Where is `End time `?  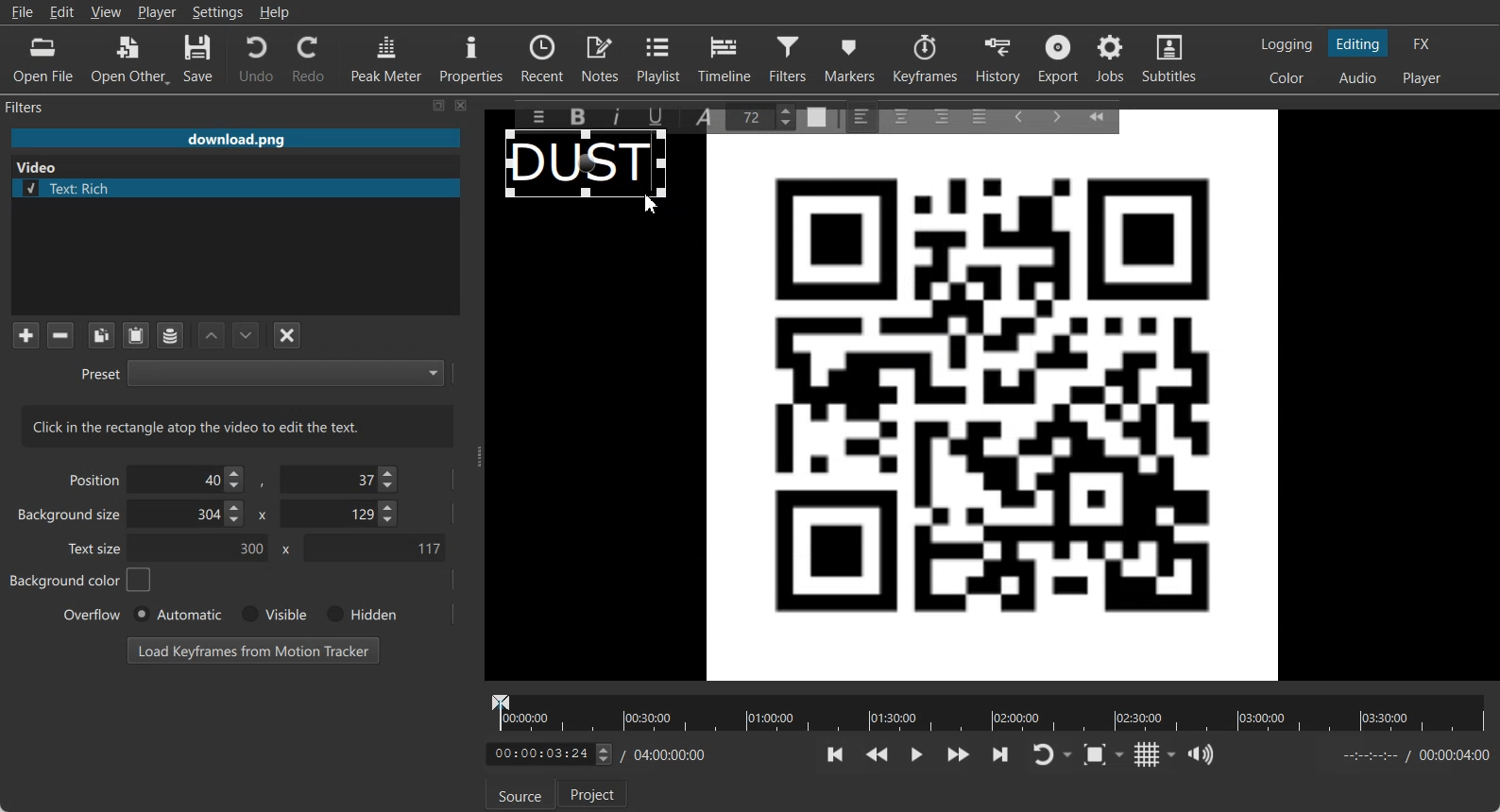
End time  is located at coordinates (1411, 755).